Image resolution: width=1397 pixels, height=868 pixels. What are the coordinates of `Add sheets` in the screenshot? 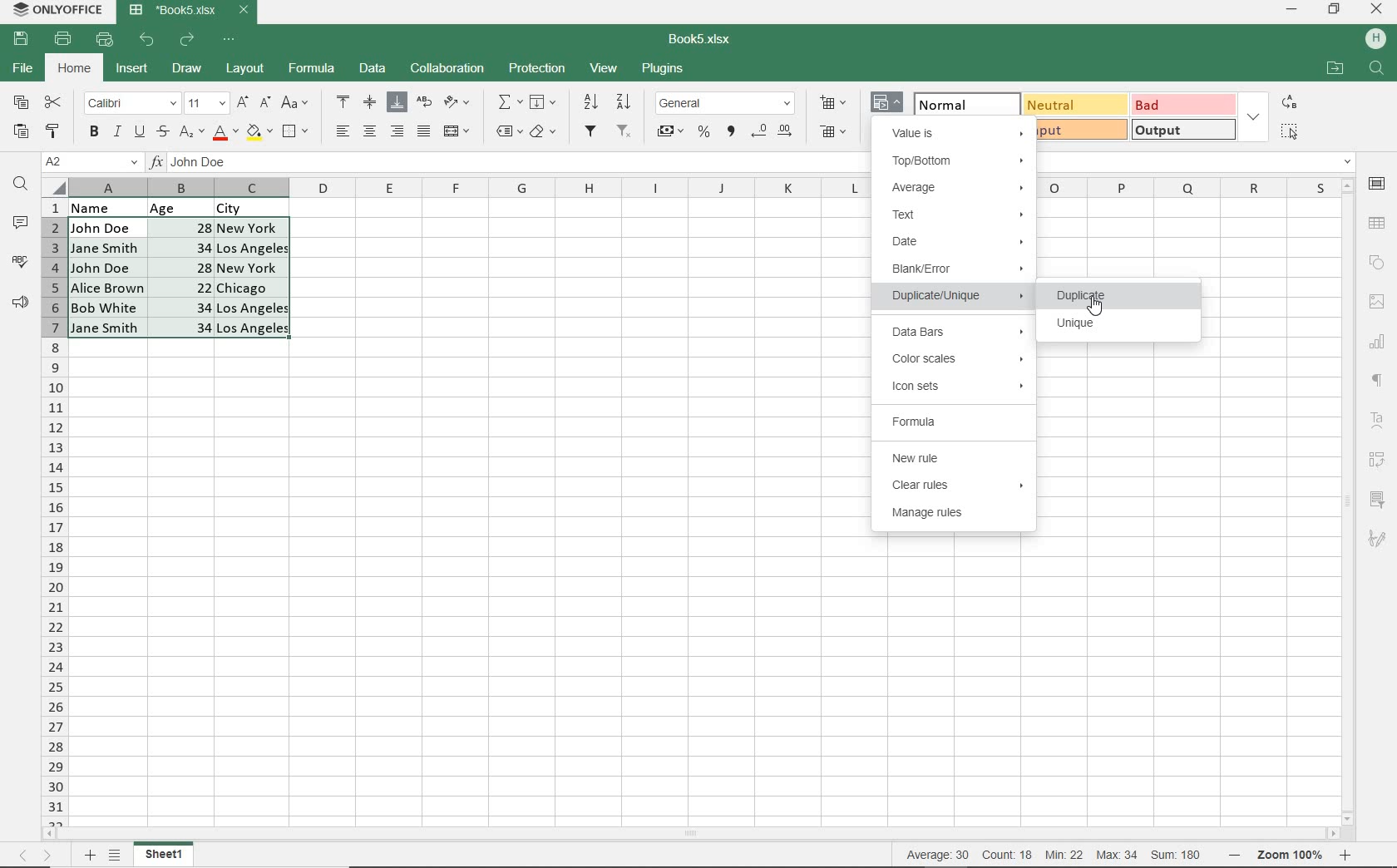 It's located at (87, 855).